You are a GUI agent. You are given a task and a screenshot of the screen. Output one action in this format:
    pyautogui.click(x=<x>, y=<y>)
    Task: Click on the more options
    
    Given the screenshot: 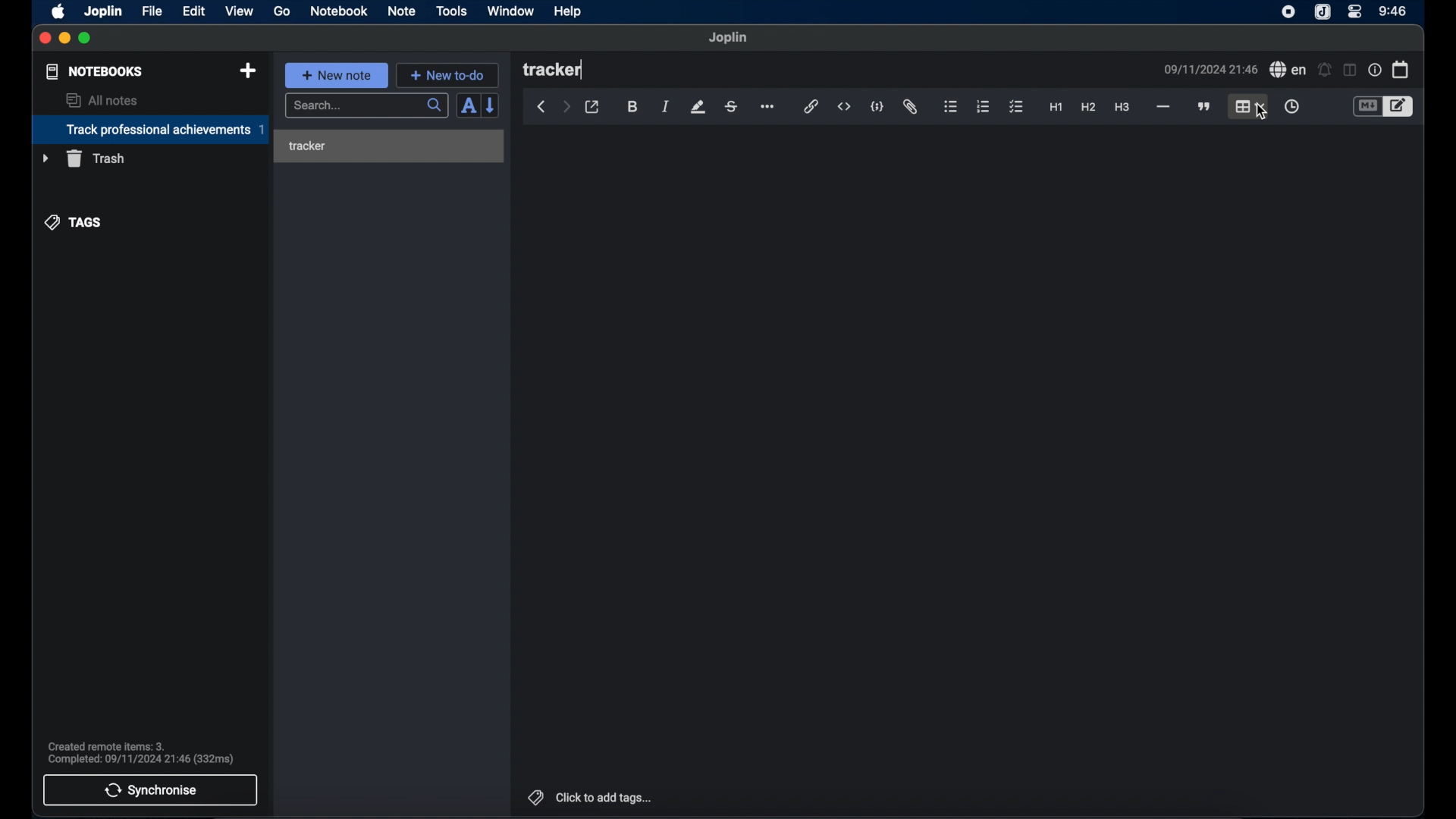 What is the action you would take?
    pyautogui.click(x=769, y=107)
    